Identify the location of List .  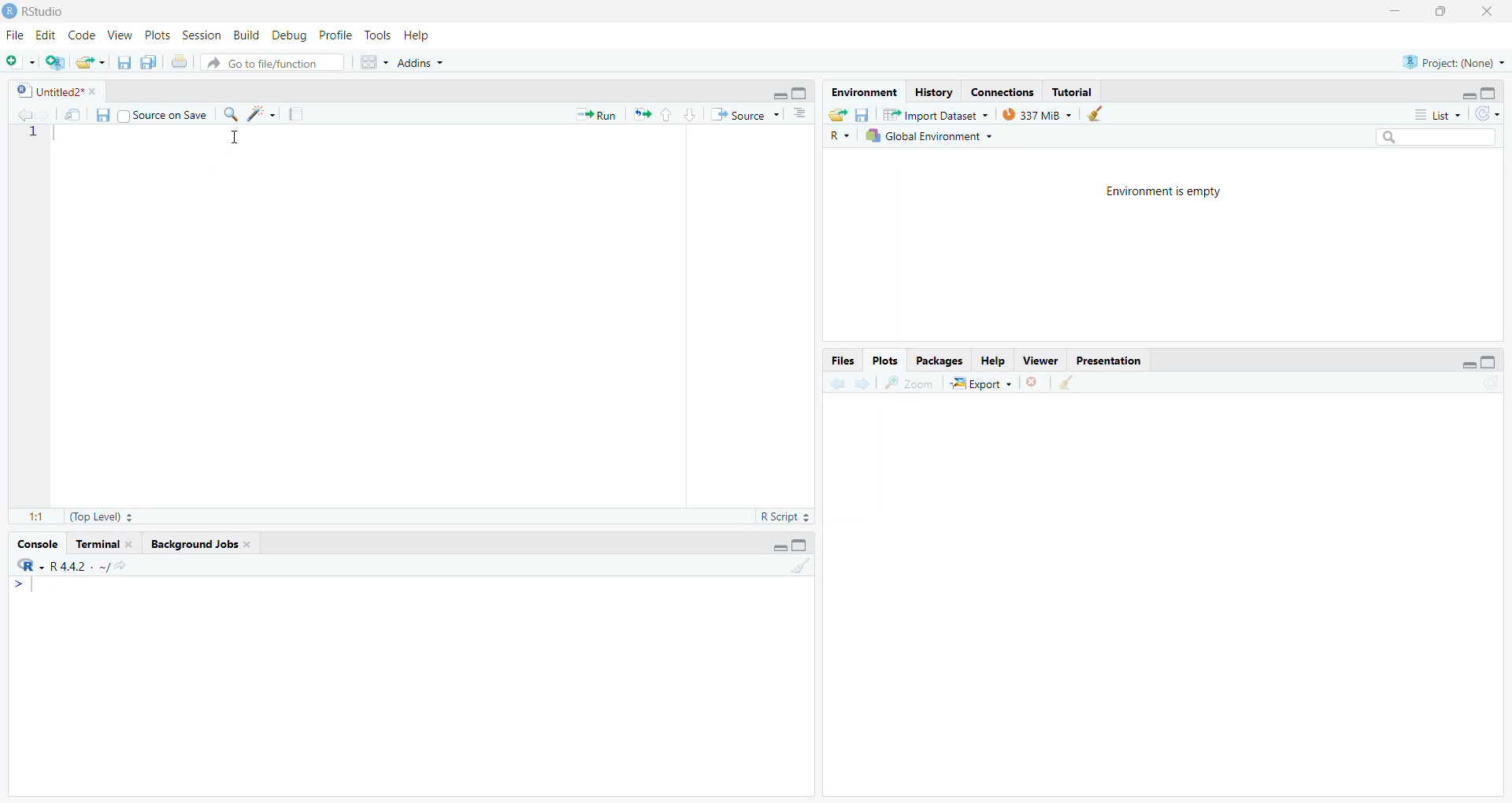
(1439, 116).